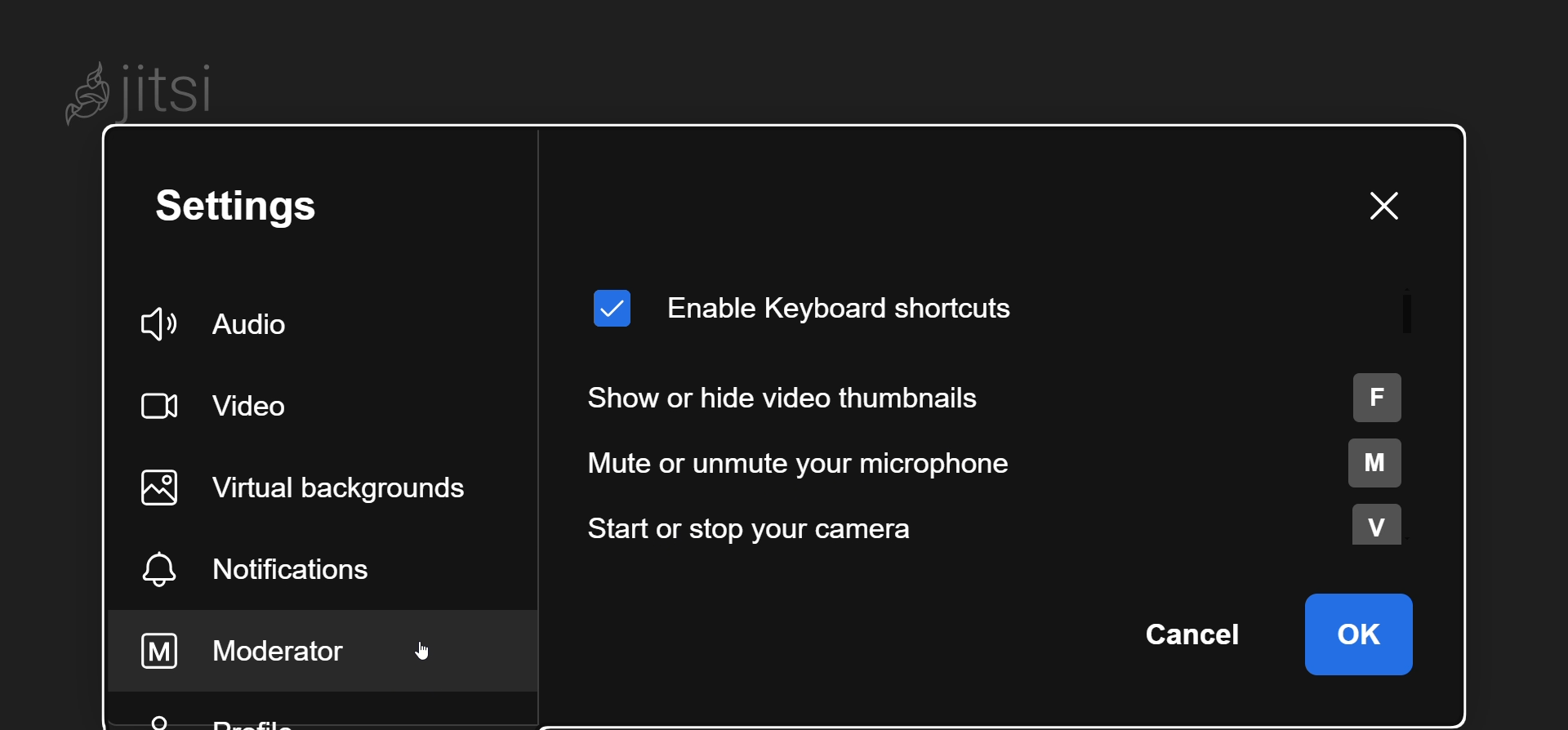 The width and height of the screenshot is (1568, 730). What do you see at coordinates (261, 649) in the screenshot?
I see `moderator` at bounding box center [261, 649].